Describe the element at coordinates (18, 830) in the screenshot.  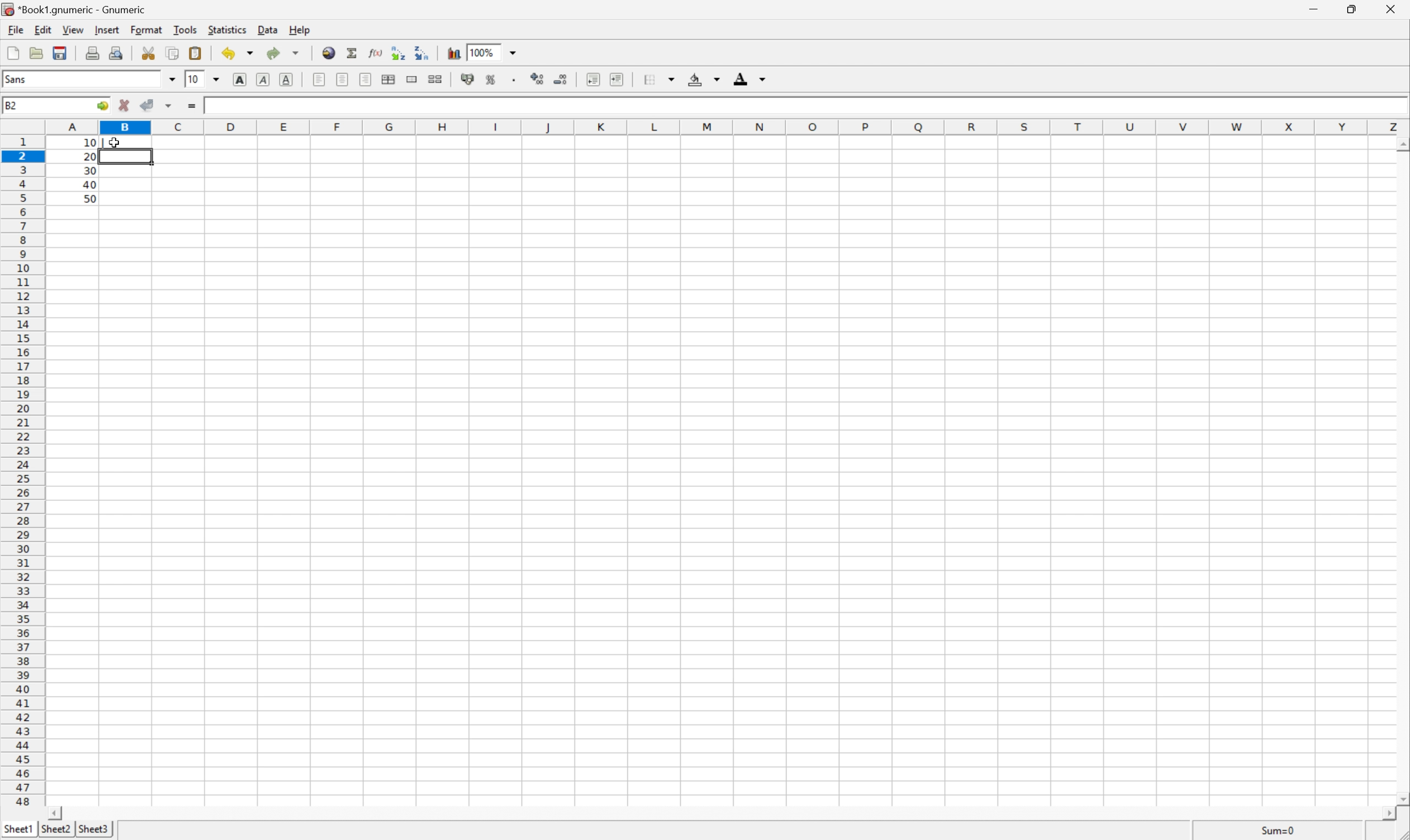
I see `Sheet1` at that location.